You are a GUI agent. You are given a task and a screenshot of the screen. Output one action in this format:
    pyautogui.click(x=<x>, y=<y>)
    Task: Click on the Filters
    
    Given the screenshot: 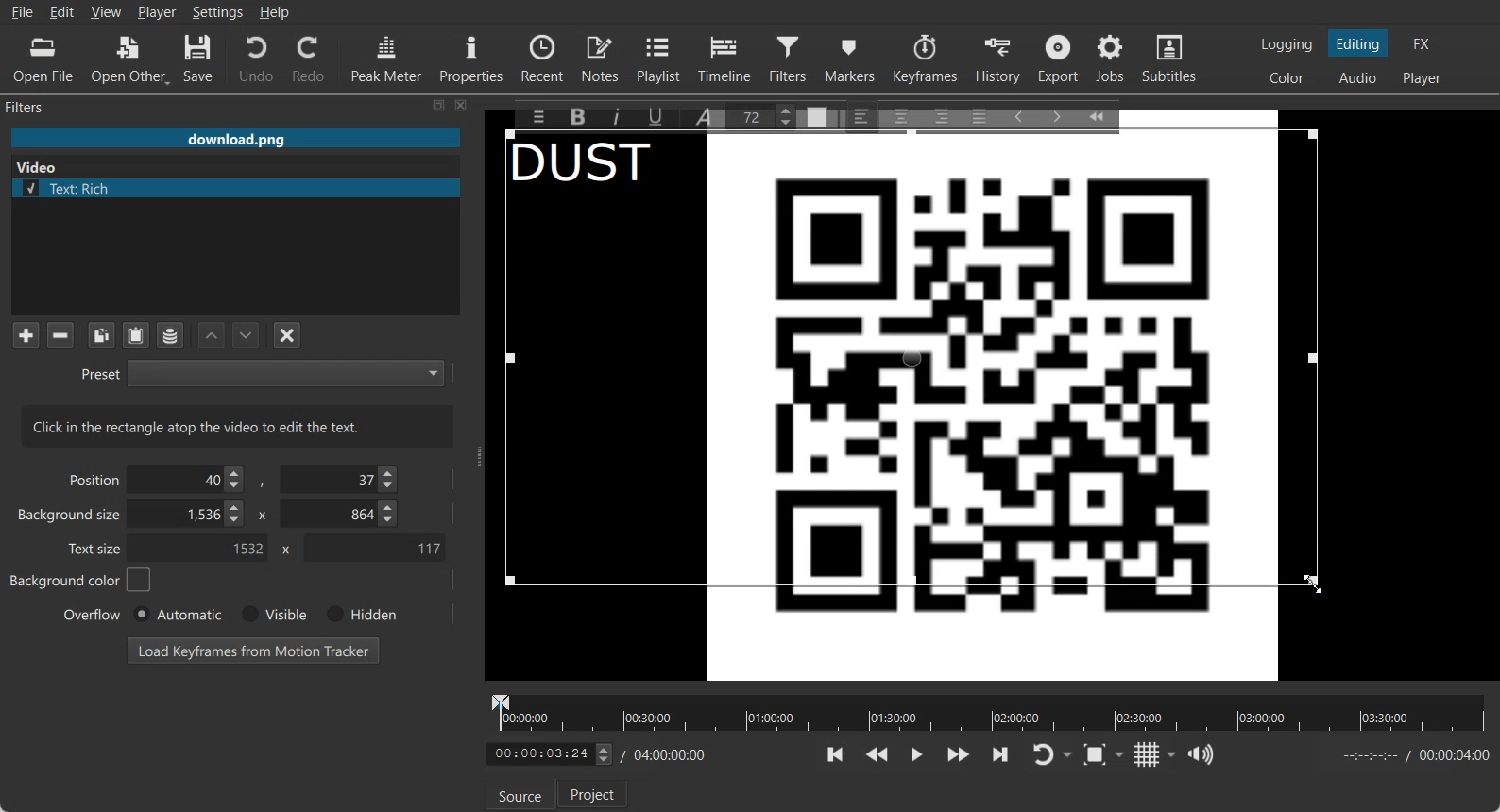 What is the action you would take?
    pyautogui.click(x=43, y=106)
    